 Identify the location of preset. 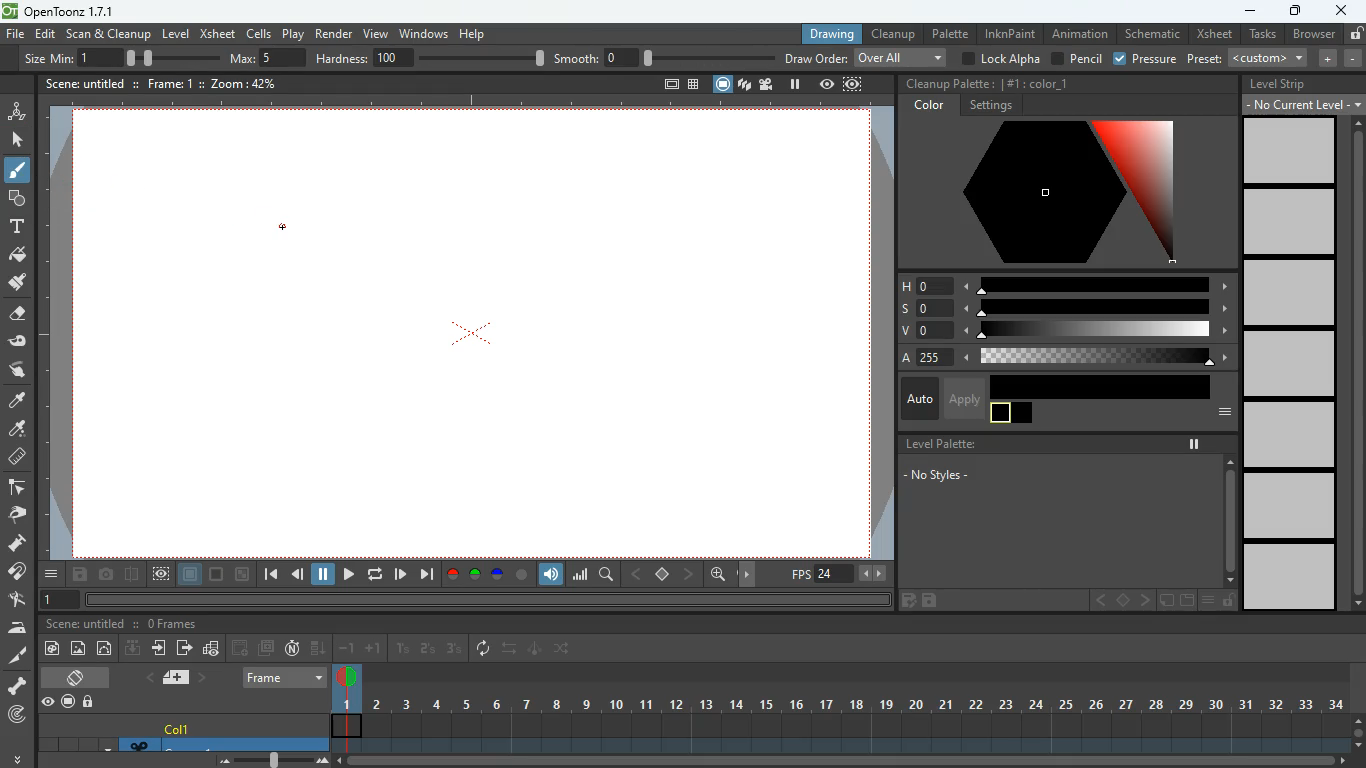
(1249, 58).